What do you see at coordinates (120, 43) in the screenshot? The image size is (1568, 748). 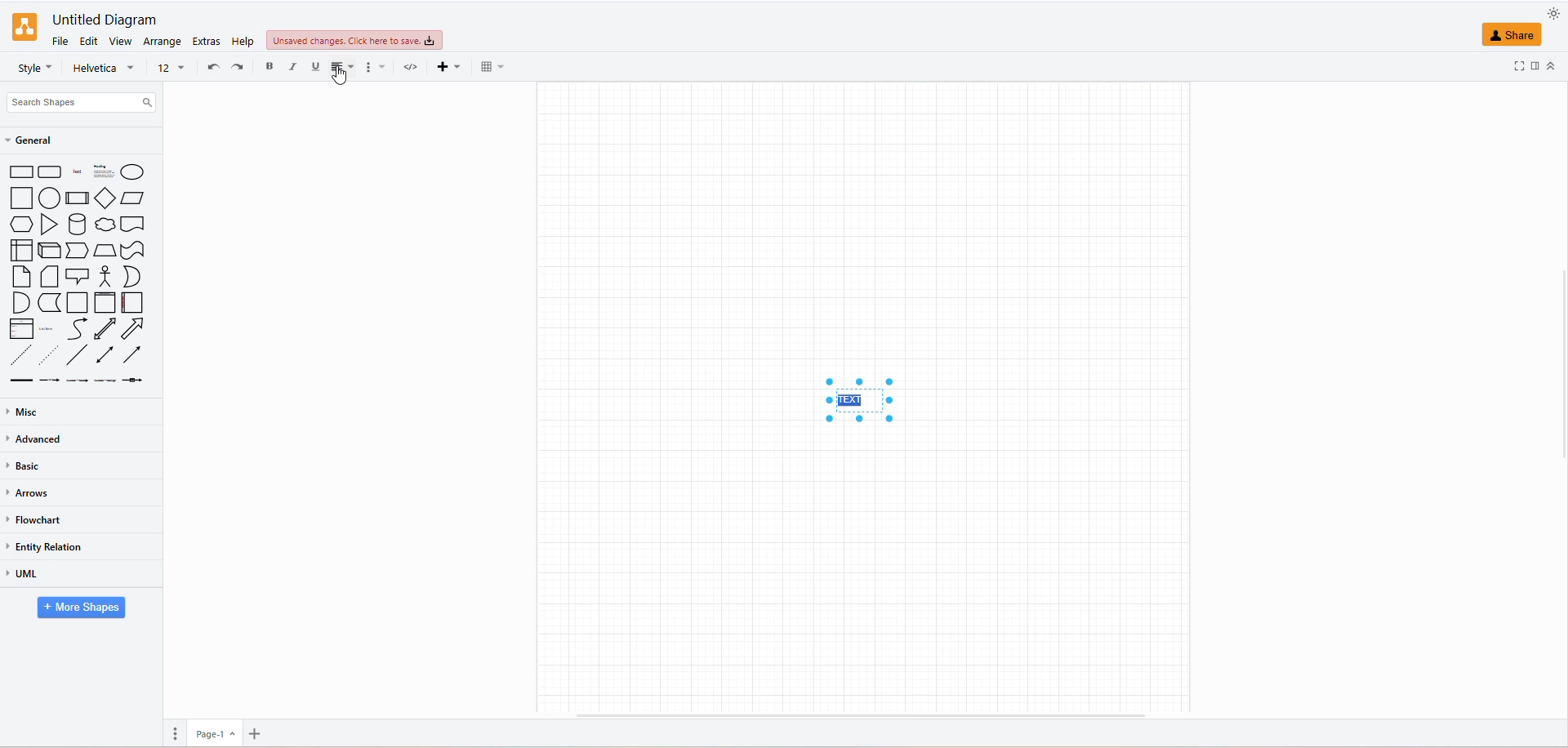 I see `view` at bounding box center [120, 43].